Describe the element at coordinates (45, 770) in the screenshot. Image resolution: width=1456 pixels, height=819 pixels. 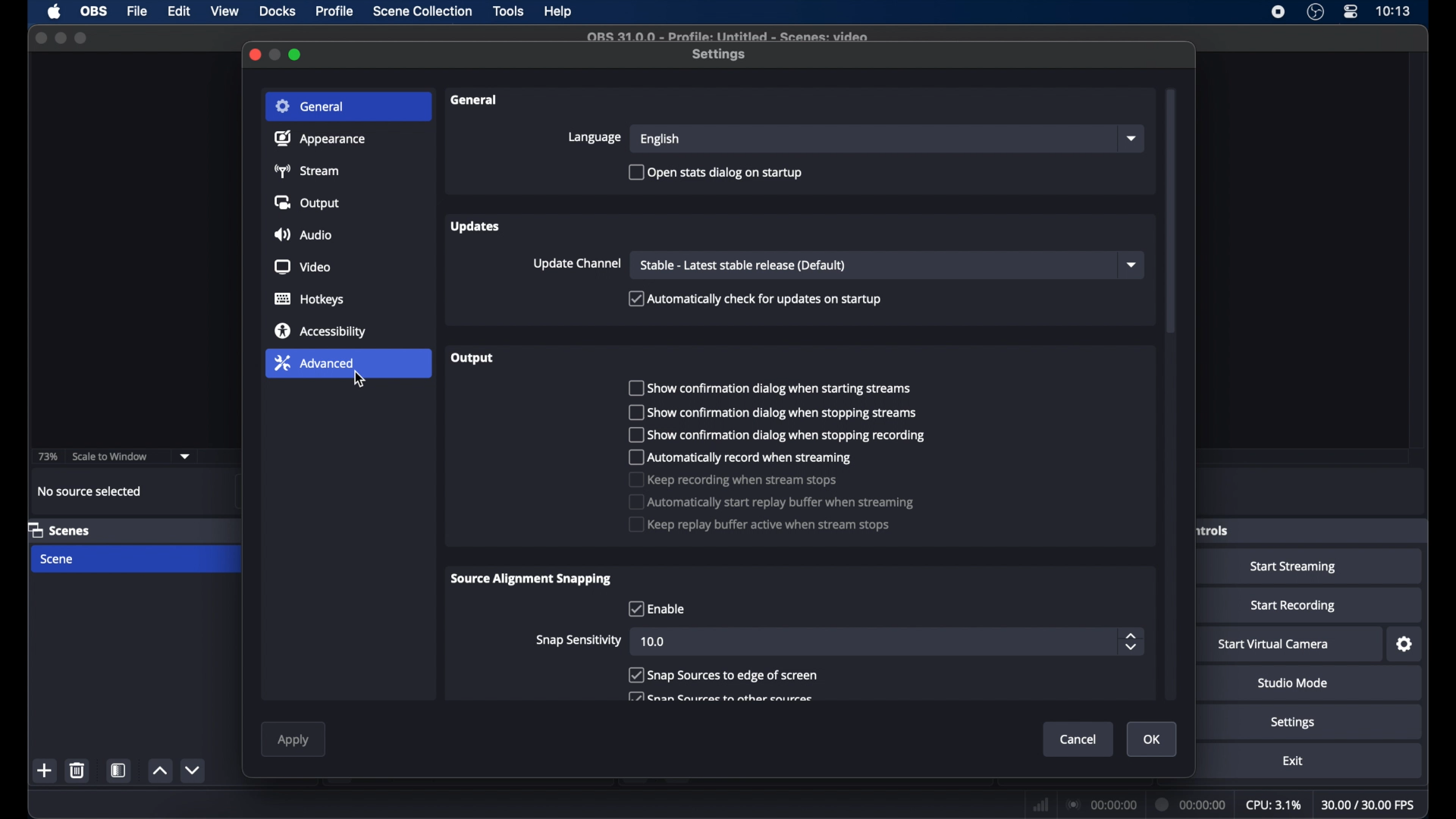
I see `add` at that location.